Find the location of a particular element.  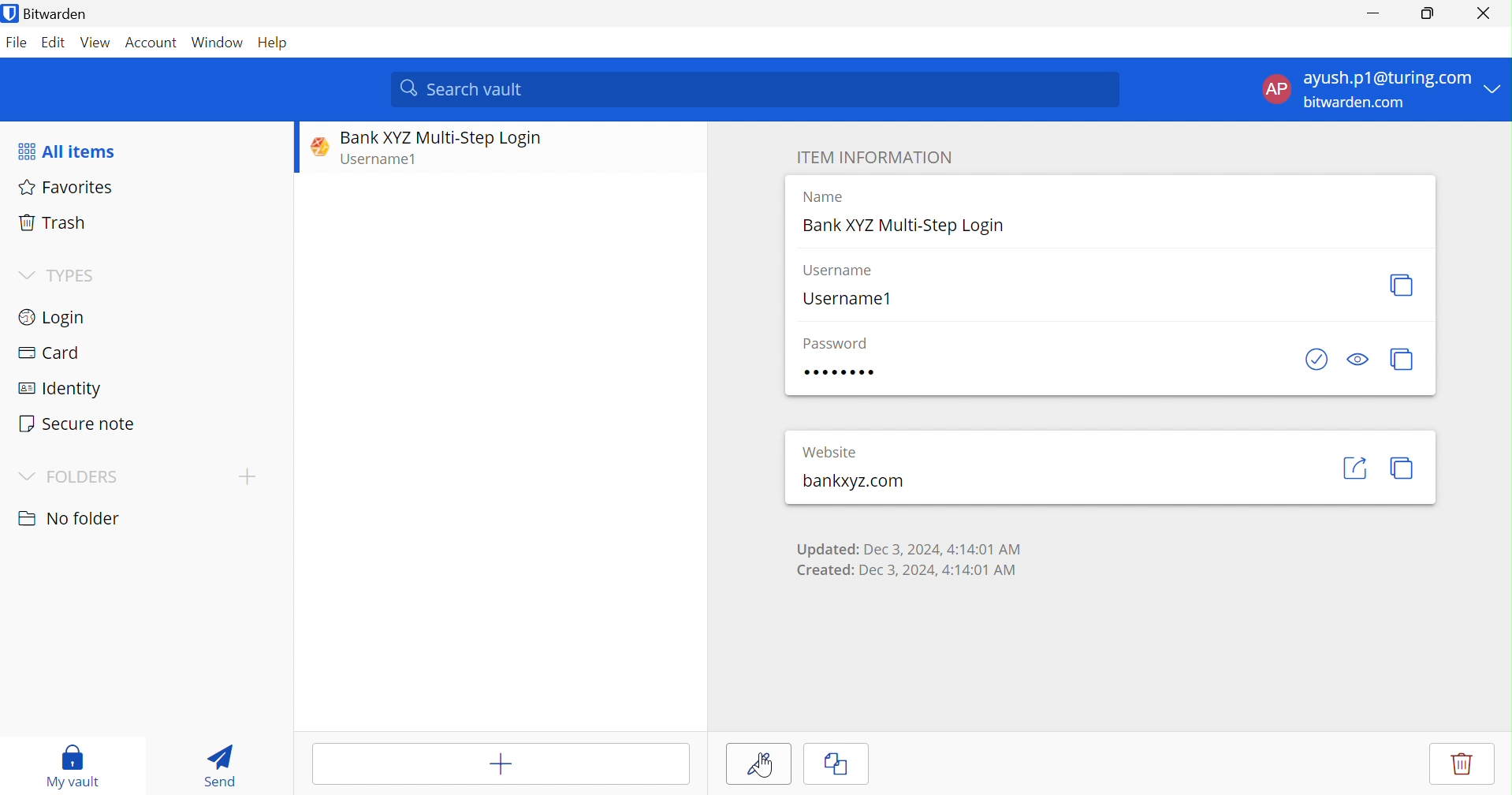

Bitwarden is located at coordinates (49, 15).